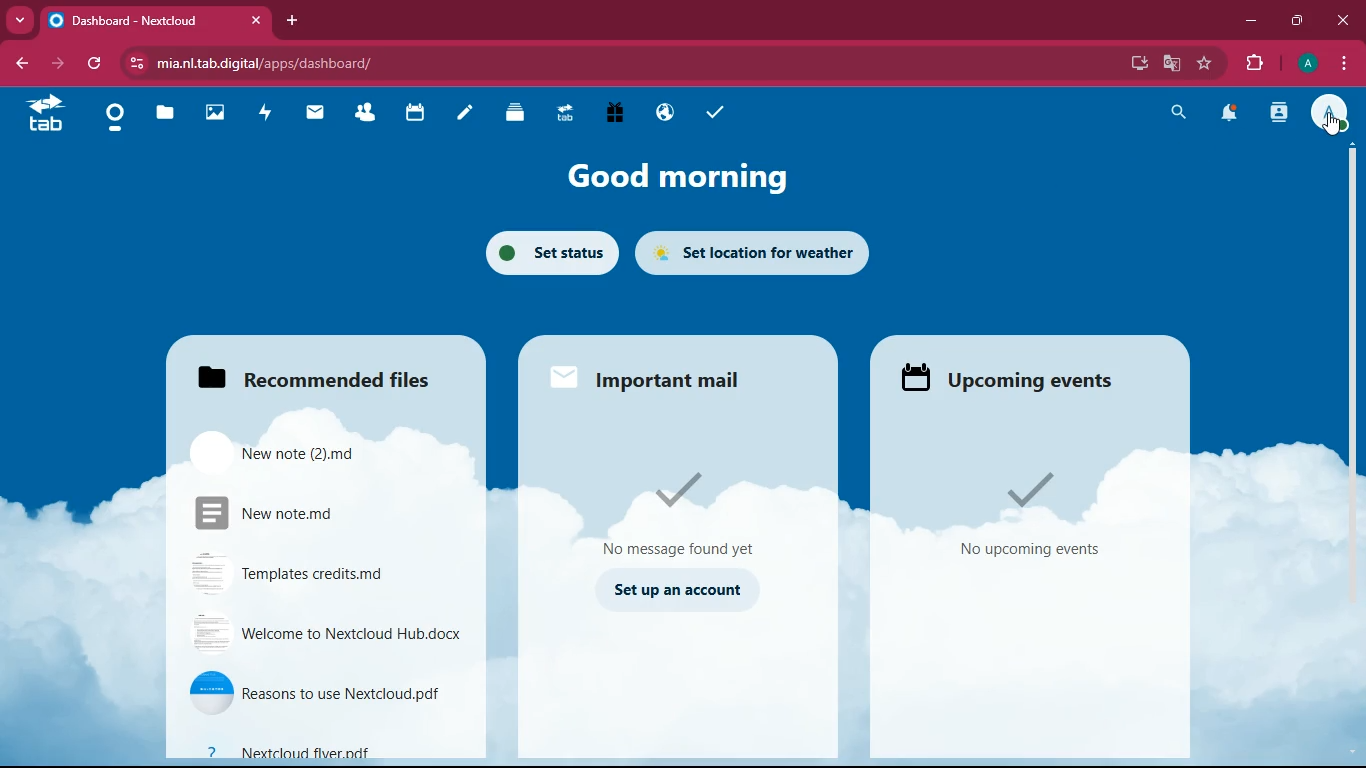 The image size is (1366, 768). What do you see at coordinates (1277, 112) in the screenshot?
I see `activity` at bounding box center [1277, 112].